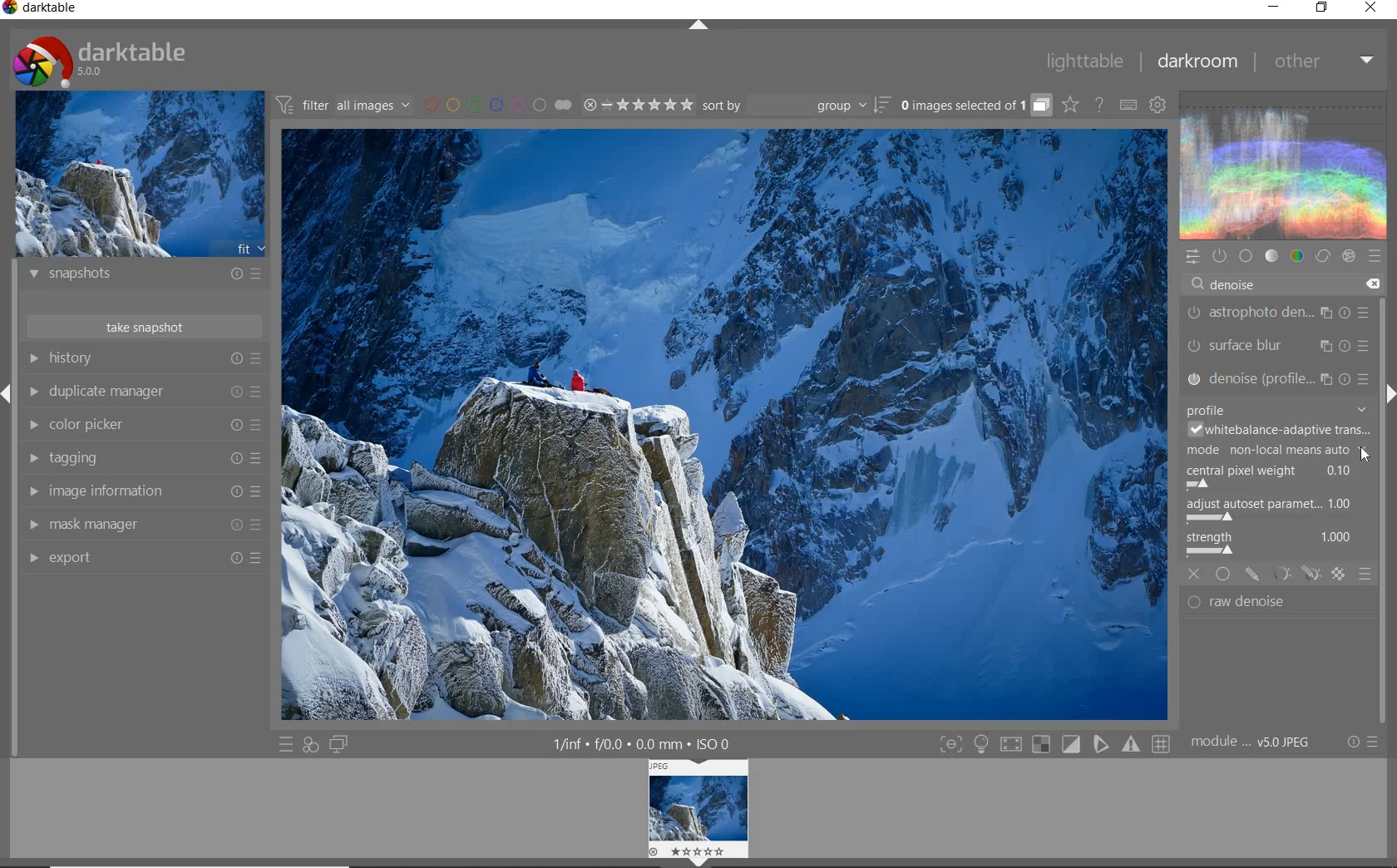 The width and height of the screenshot is (1397, 868). What do you see at coordinates (1218, 256) in the screenshot?
I see `show only active modules` at bounding box center [1218, 256].